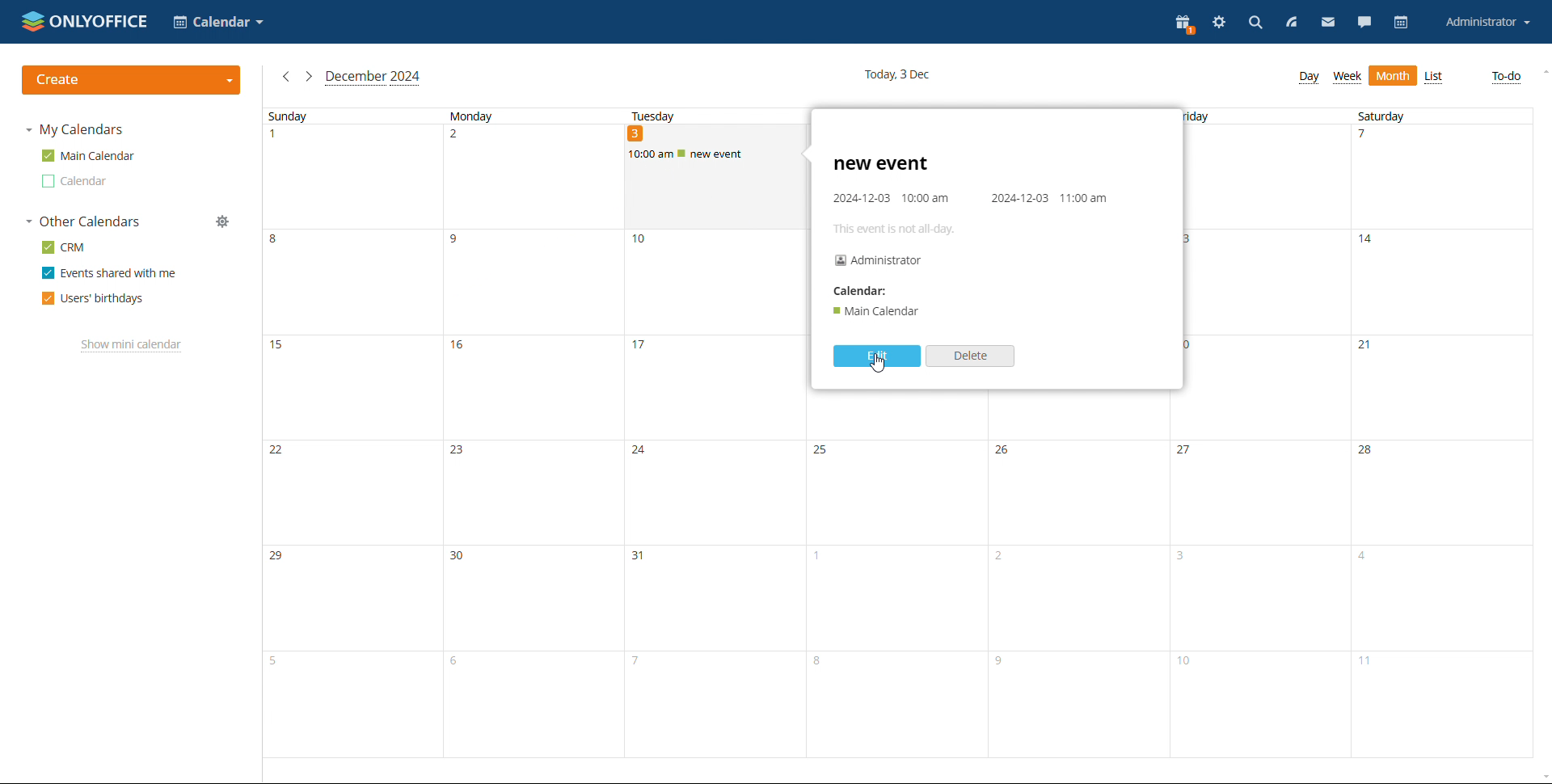 The image size is (1552, 784). What do you see at coordinates (1449, 387) in the screenshot?
I see `21` at bounding box center [1449, 387].